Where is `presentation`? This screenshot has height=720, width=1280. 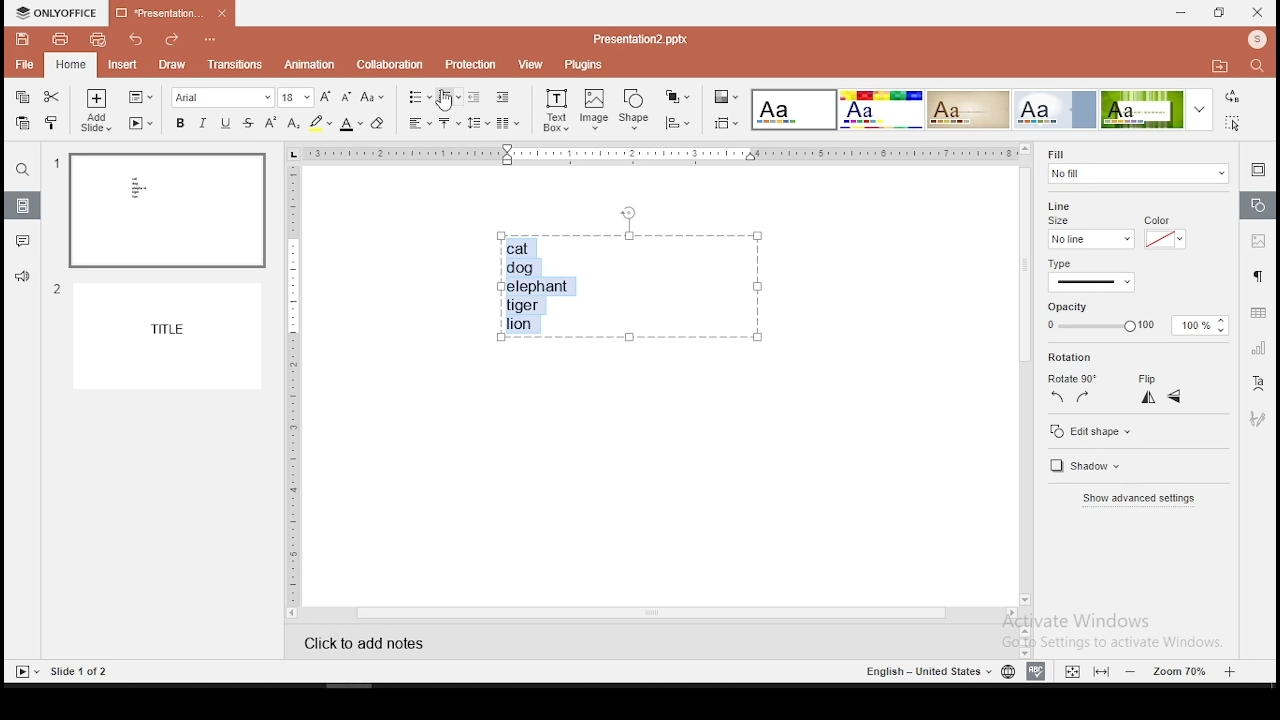
presentation is located at coordinates (168, 13).